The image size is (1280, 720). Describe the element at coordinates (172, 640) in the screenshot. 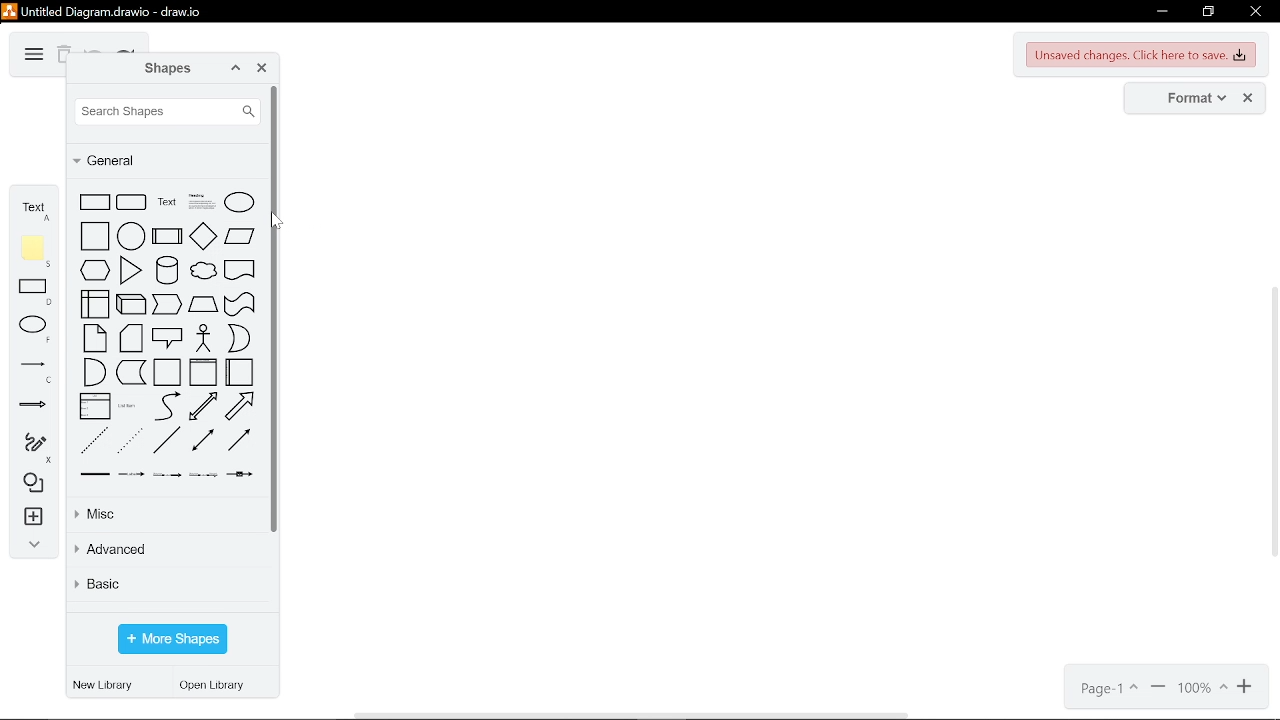

I see `more shapes` at that location.